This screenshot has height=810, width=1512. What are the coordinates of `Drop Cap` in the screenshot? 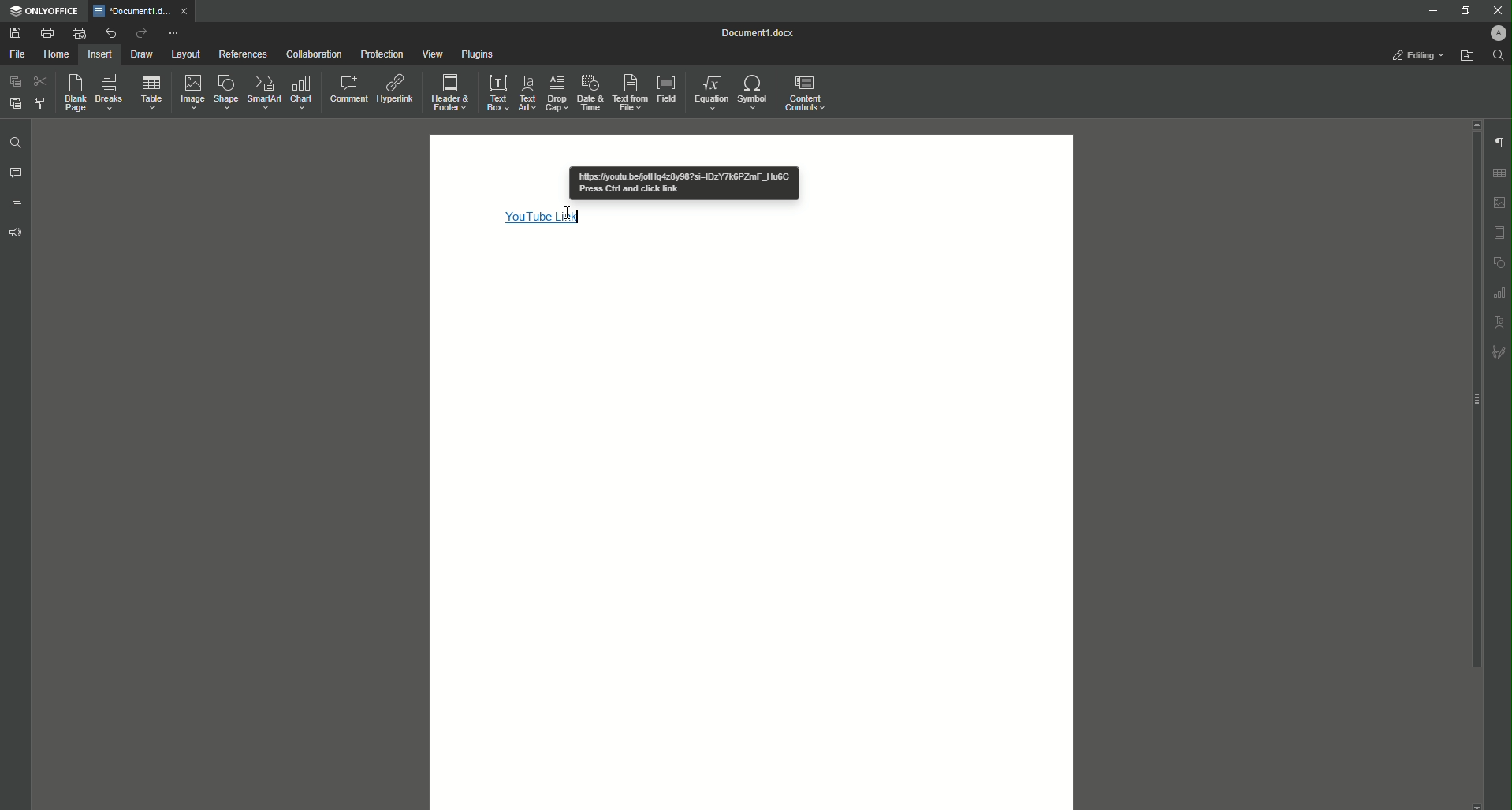 It's located at (557, 92).